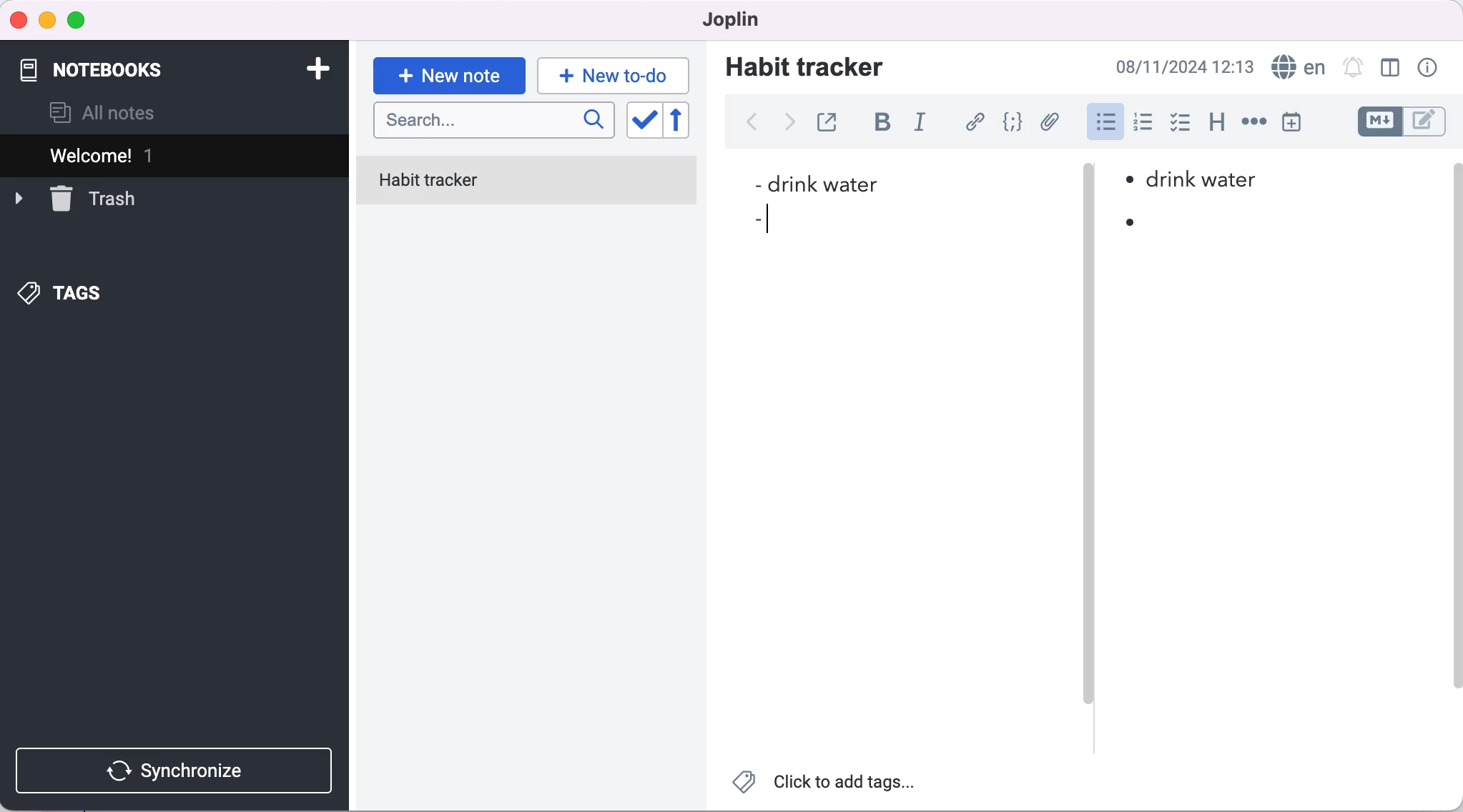 The image size is (1463, 812). I want to click on vertical slider, so click(1088, 450).